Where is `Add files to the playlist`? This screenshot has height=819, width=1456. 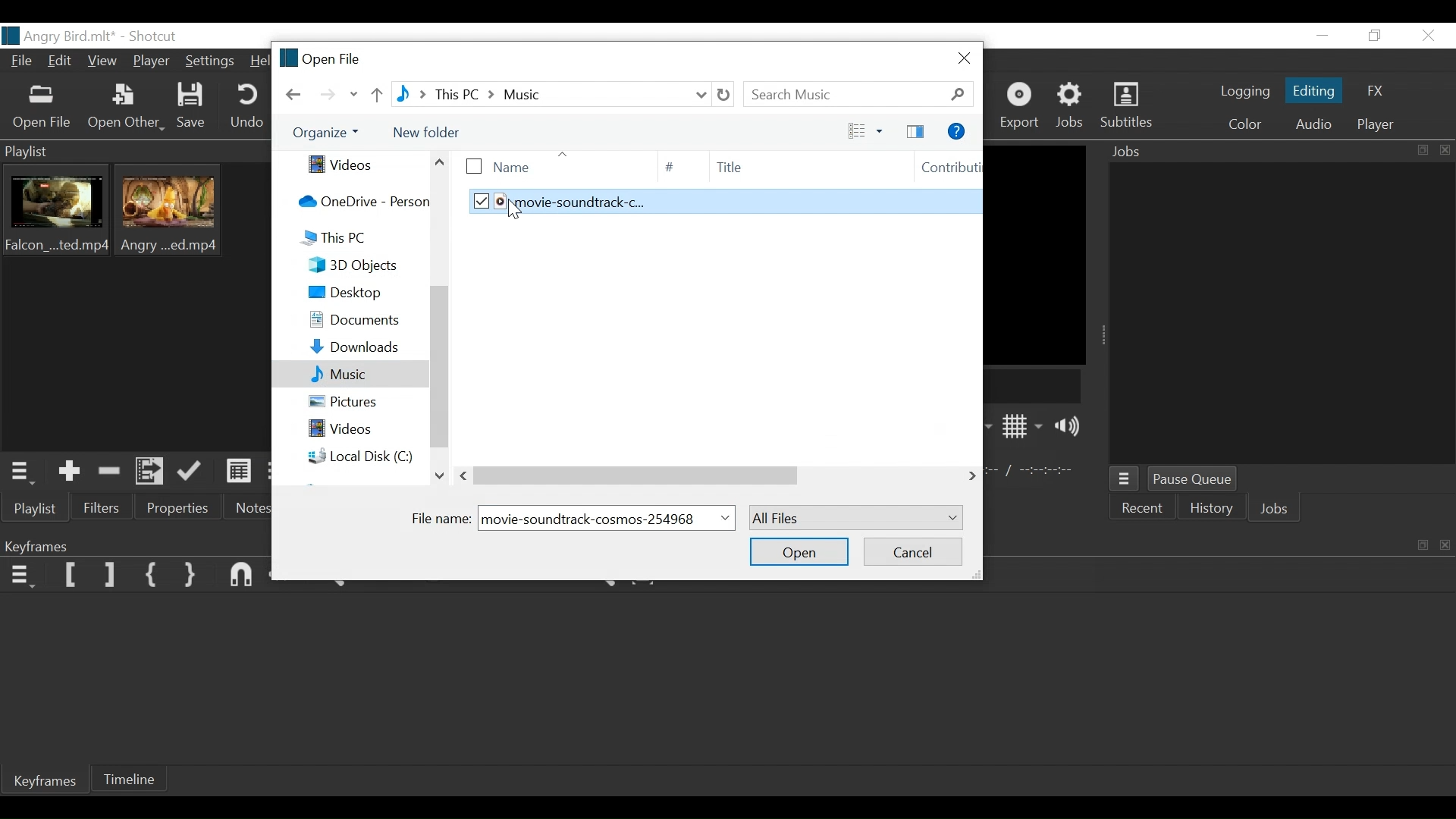
Add files to the playlist is located at coordinates (152, 472).